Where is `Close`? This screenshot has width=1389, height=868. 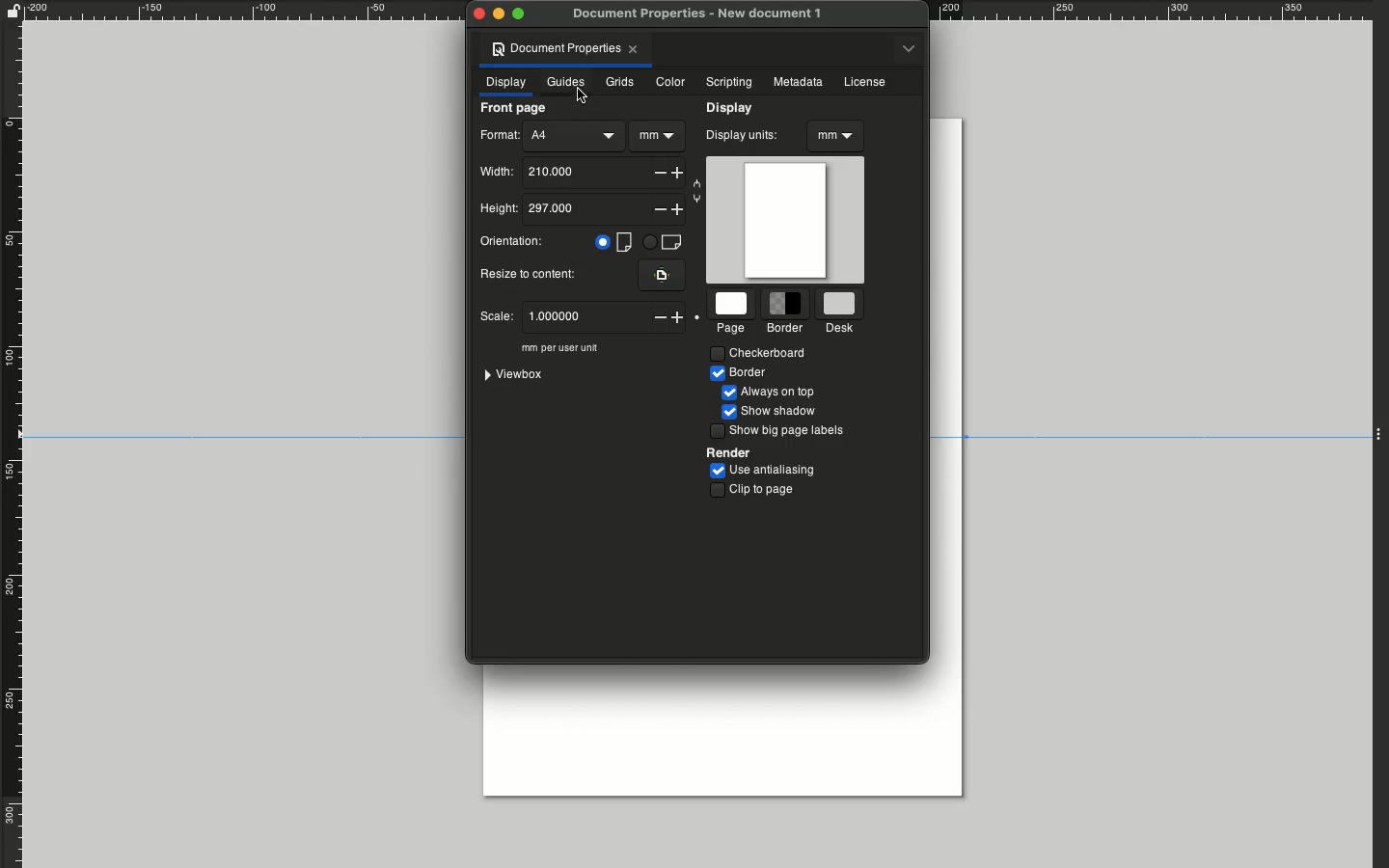 Close is located at coordinates (477, 14).